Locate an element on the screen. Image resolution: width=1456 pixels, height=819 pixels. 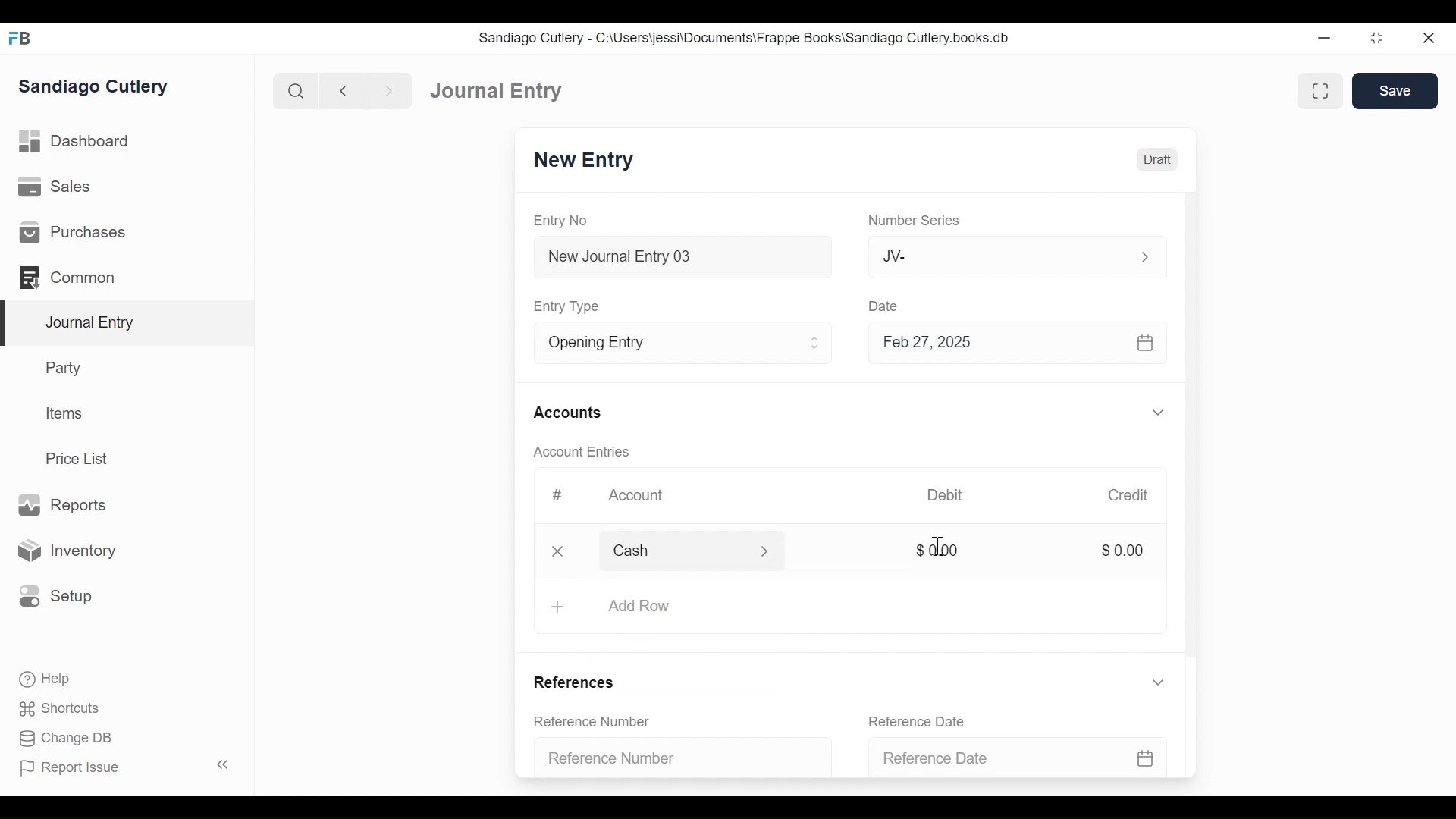
Save is located at coordinates (1397, 91).